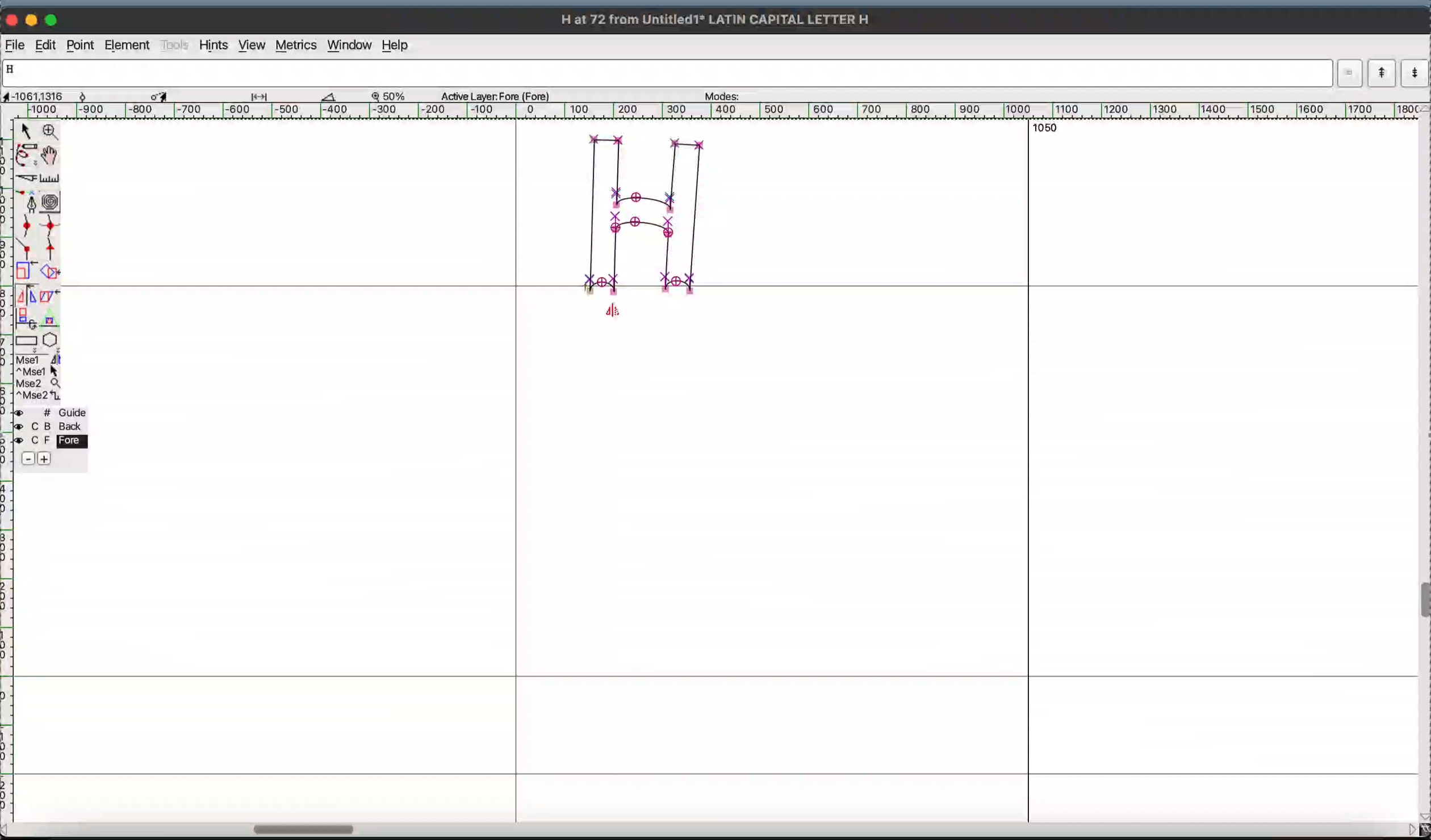 This screenshot has height=840, width=1431. I want to click on measurement, so click(242, 95).